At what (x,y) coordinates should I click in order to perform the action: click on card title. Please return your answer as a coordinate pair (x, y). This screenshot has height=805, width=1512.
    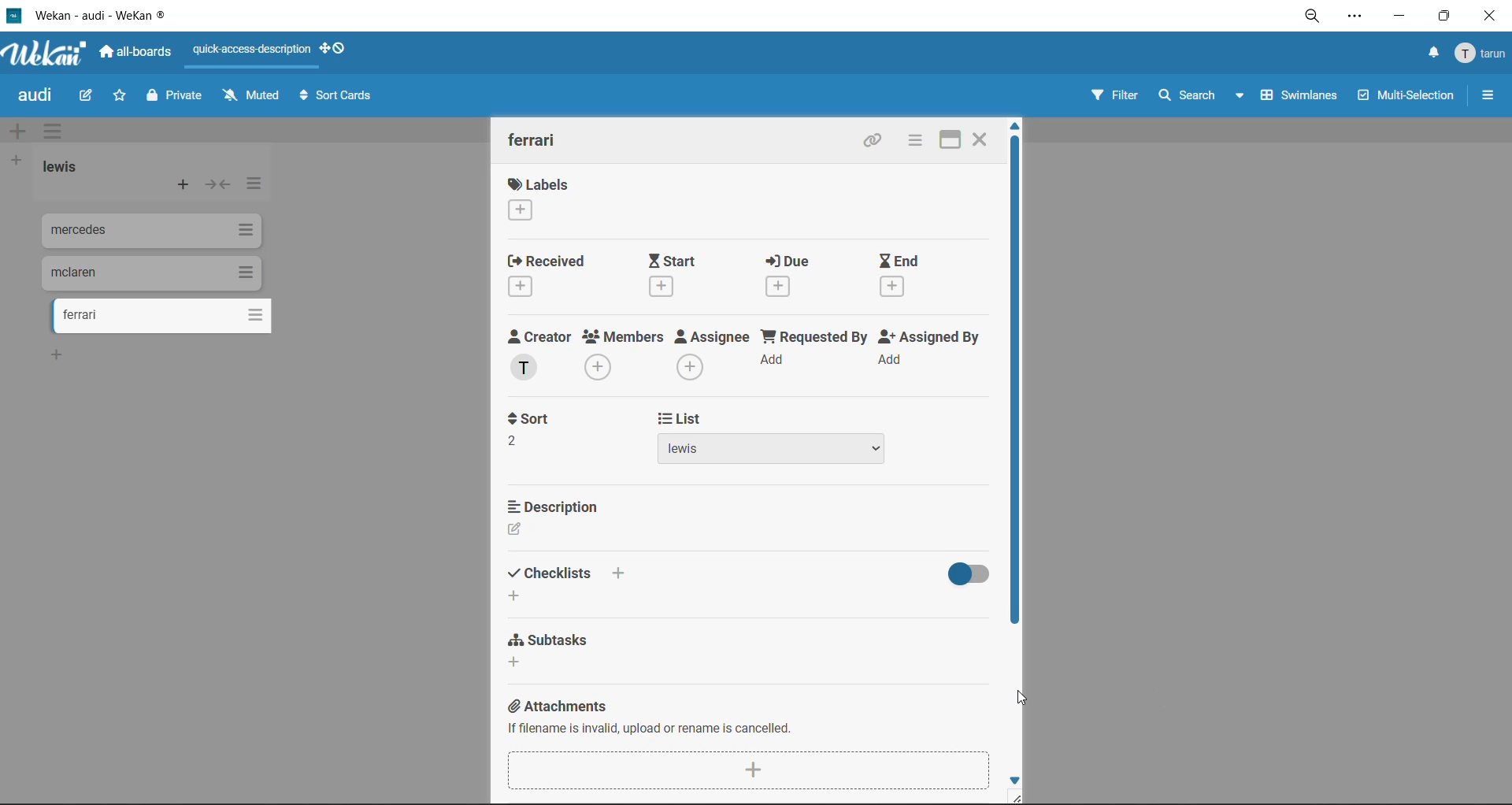
    Looking at the image, I should click on (536, 140).